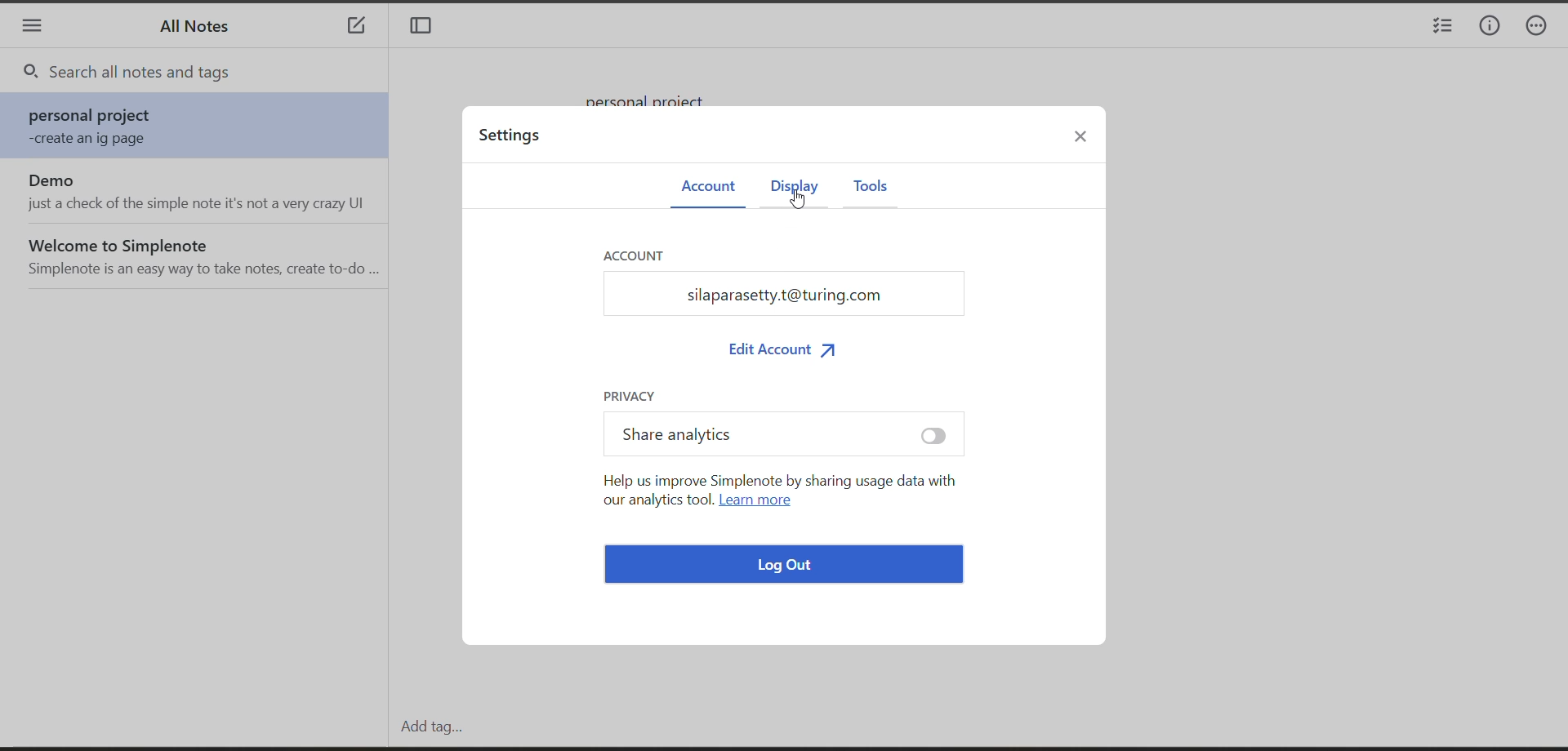 This screenshot has width=1568, height=751. Describe the element at coordinates (706, 187) in the screenshot. I see `account` at that location.